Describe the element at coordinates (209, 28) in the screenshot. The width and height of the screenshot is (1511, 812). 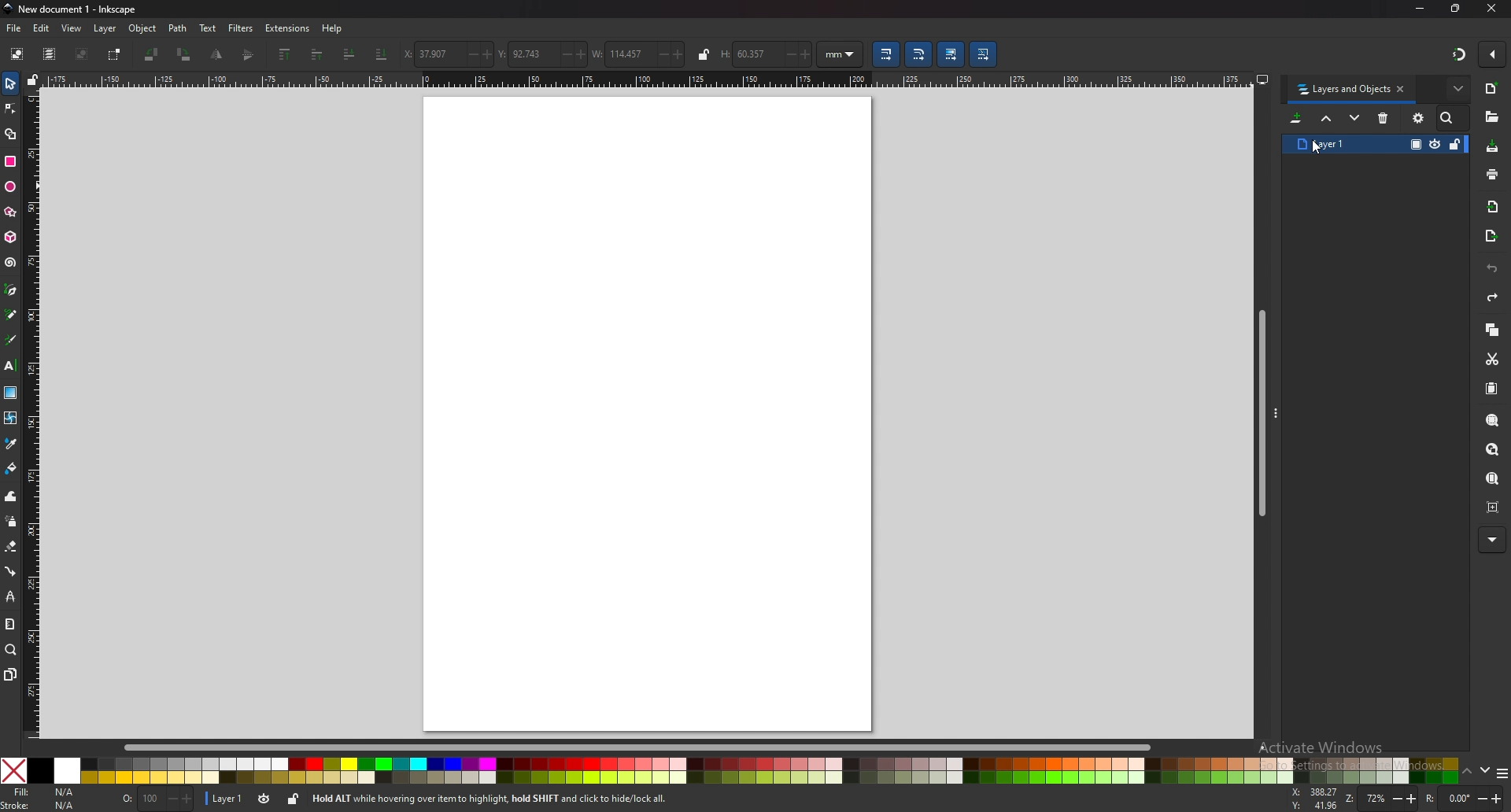
I see `text` at that location.